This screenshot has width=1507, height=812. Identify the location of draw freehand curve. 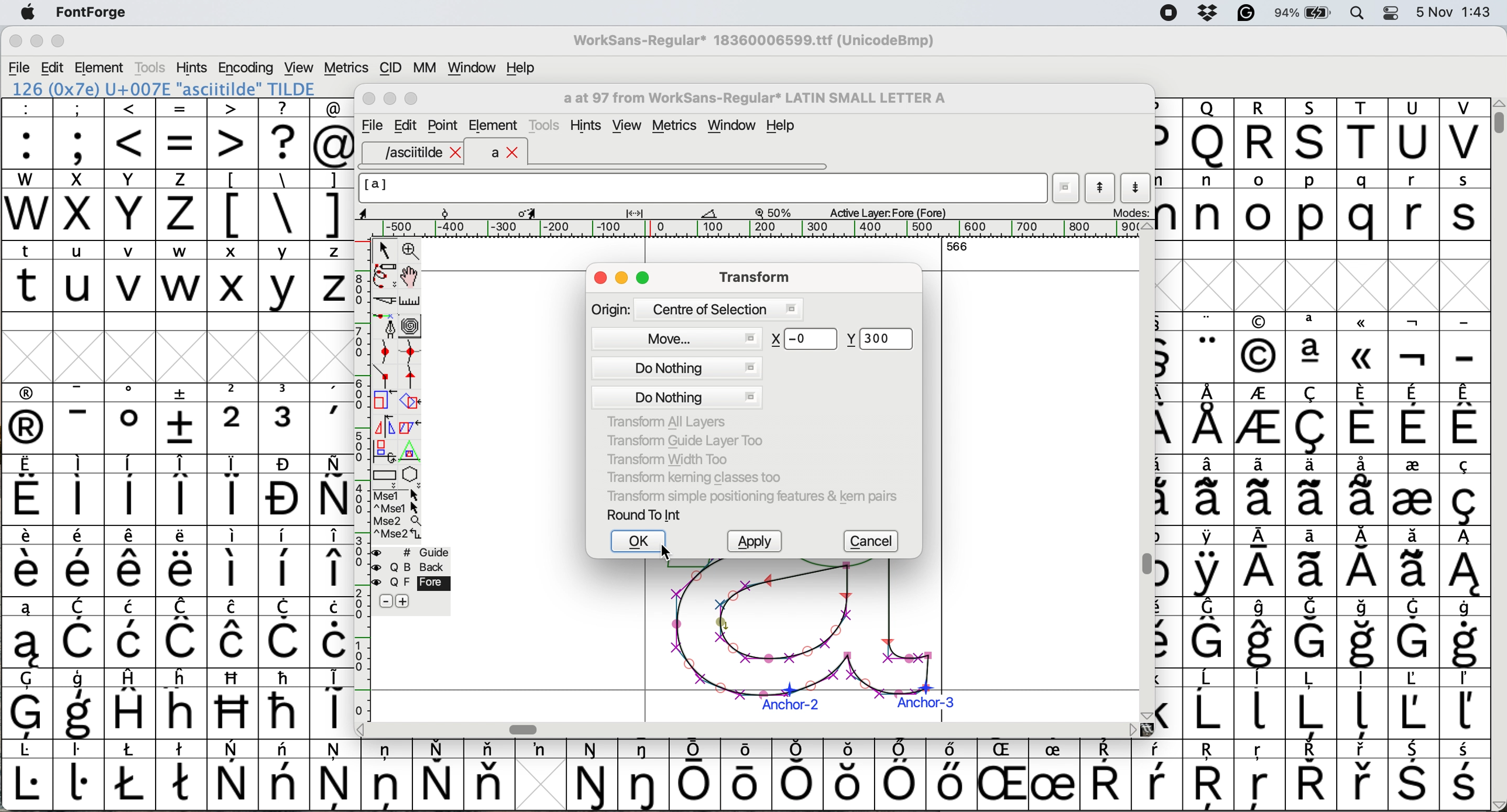
(384, 276).